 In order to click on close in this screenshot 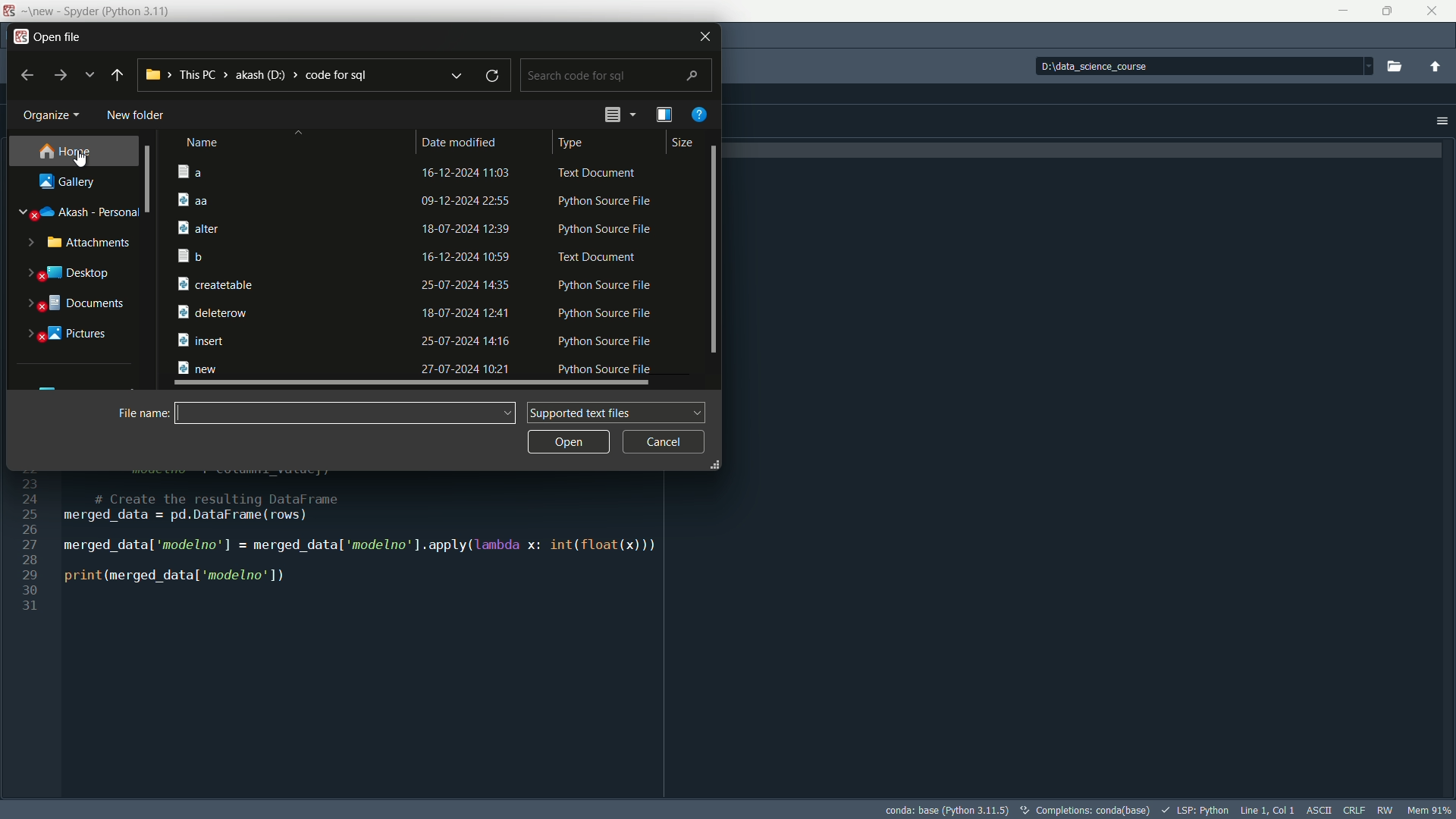, I will do `click(705, 36)`.